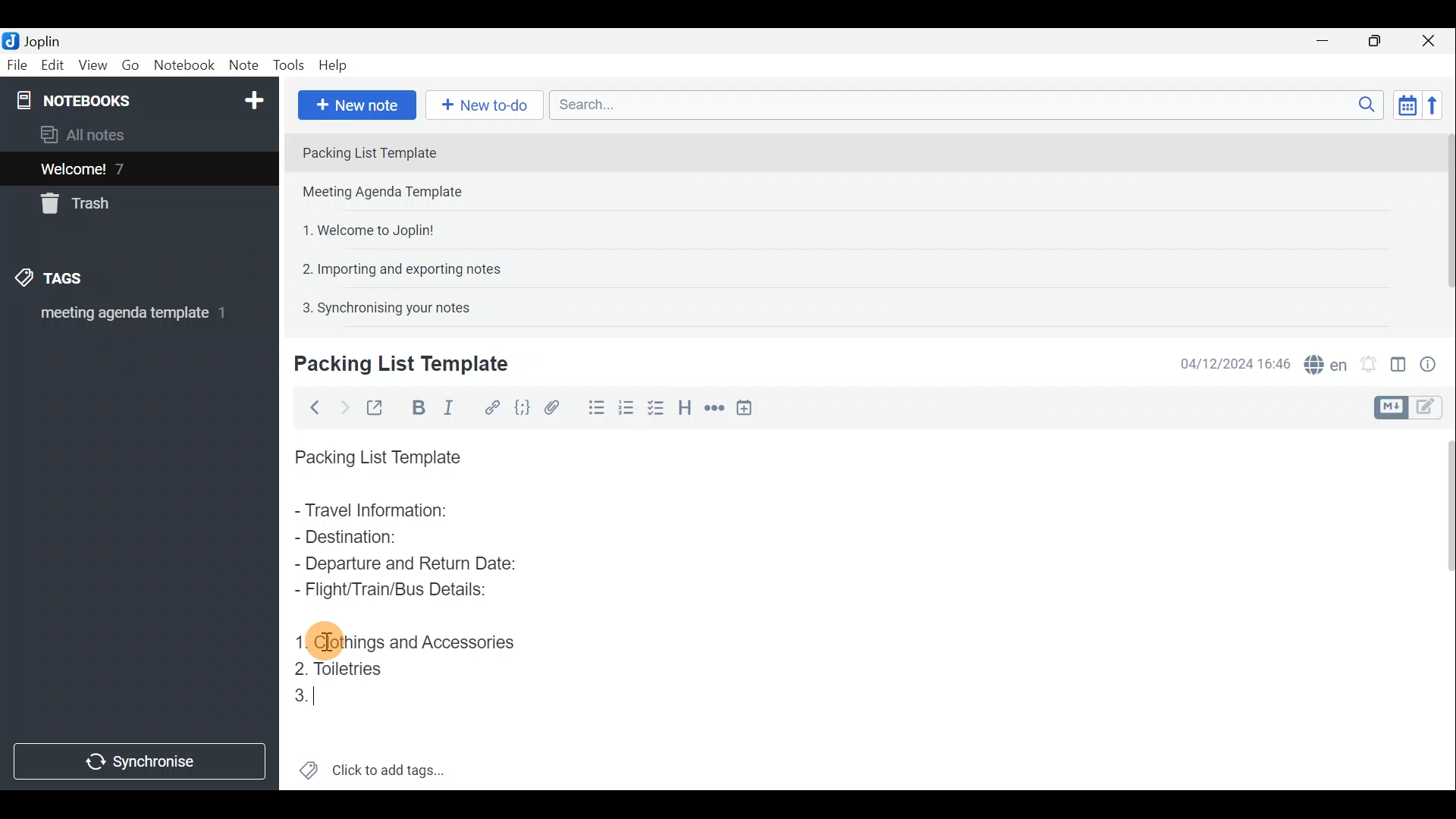 The width and height of the screenshot is (1456, 819). Describe the element at coordinates (1433, 362) in the screenshot. I see `Note properties` at that location.